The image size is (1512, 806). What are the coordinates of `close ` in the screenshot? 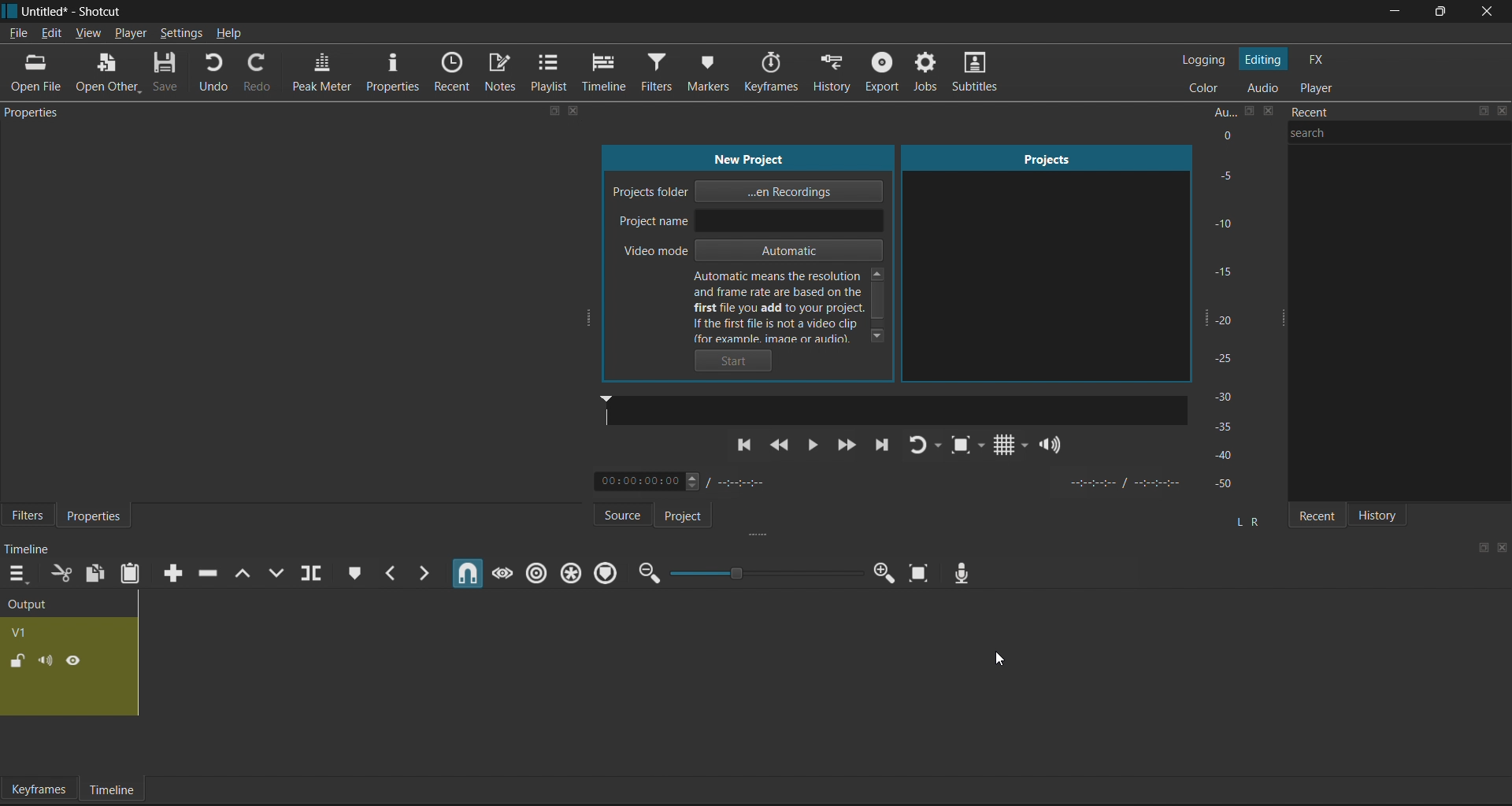 It's located at (574, 112).